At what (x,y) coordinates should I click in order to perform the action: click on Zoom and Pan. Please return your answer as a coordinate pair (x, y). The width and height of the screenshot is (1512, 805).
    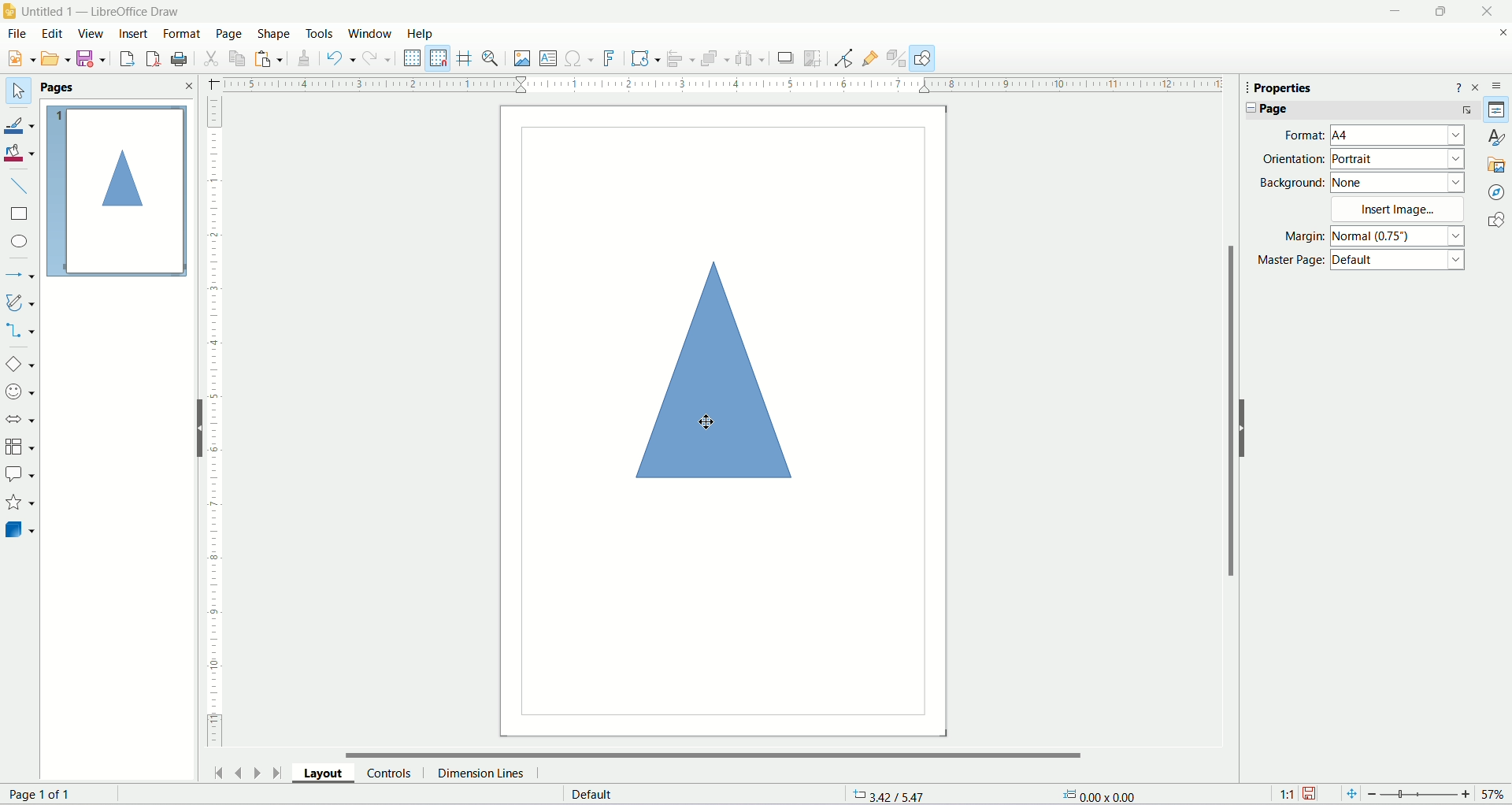
    Looking at the image, I should click on (490, 60).